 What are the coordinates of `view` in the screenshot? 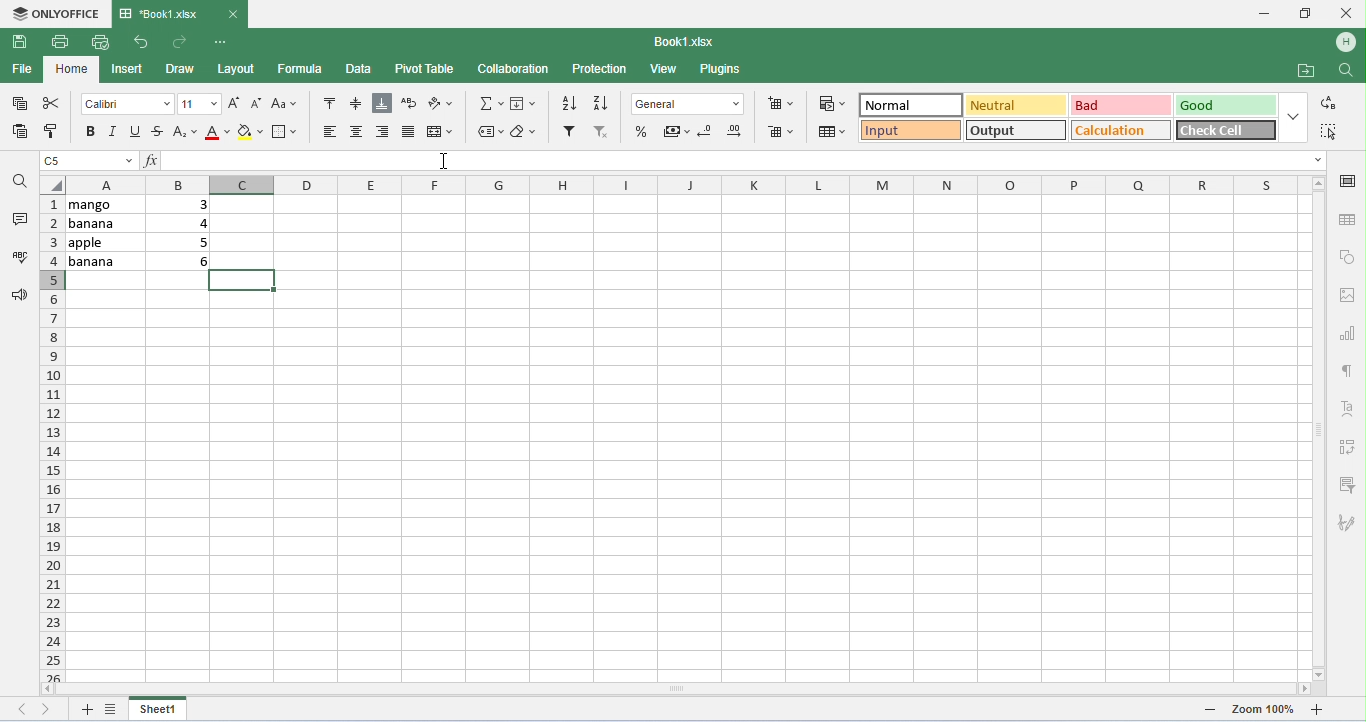 It's located at (663, 70).